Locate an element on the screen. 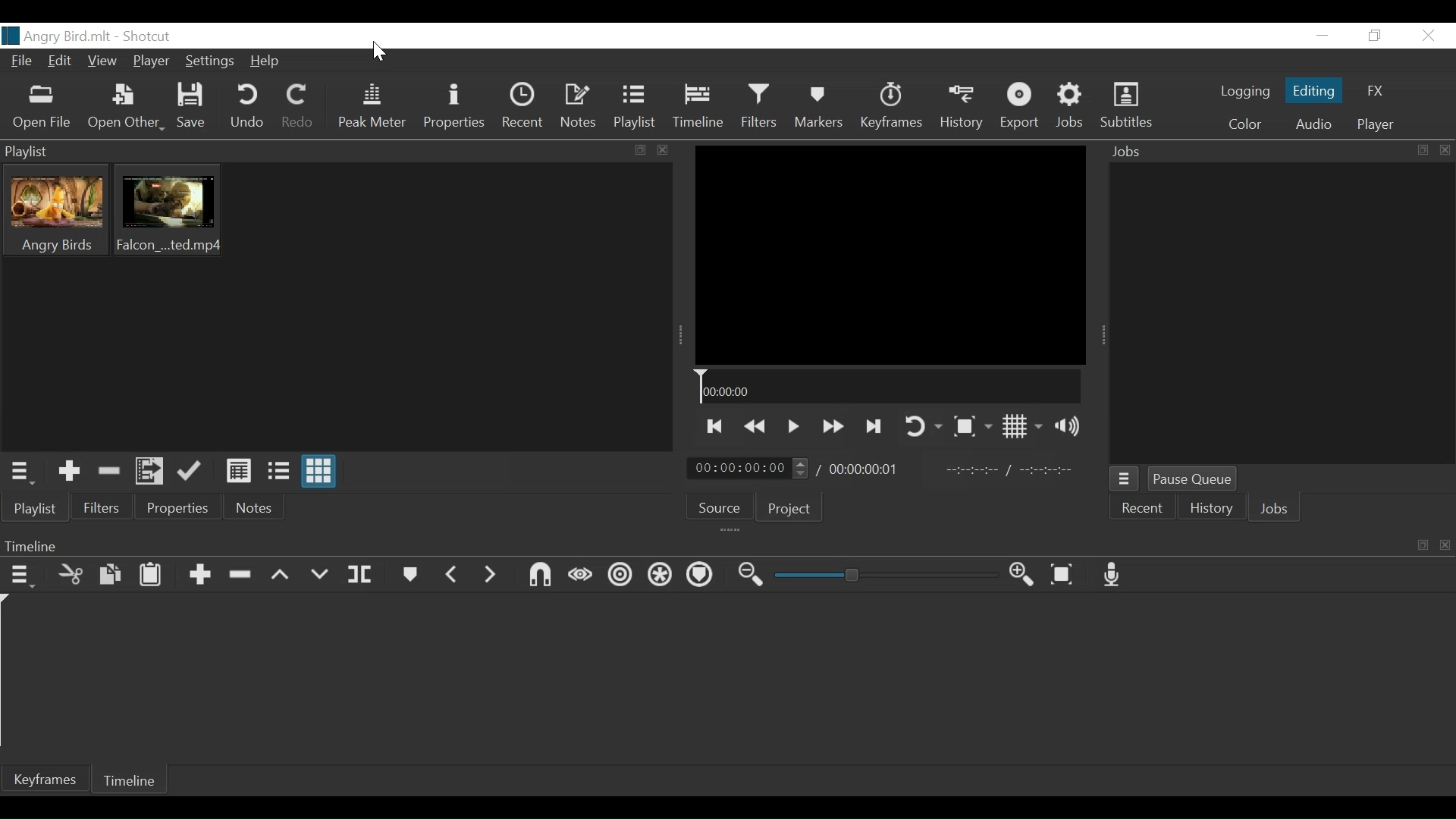  Play forward quickly is located at coordinates (832, 426).